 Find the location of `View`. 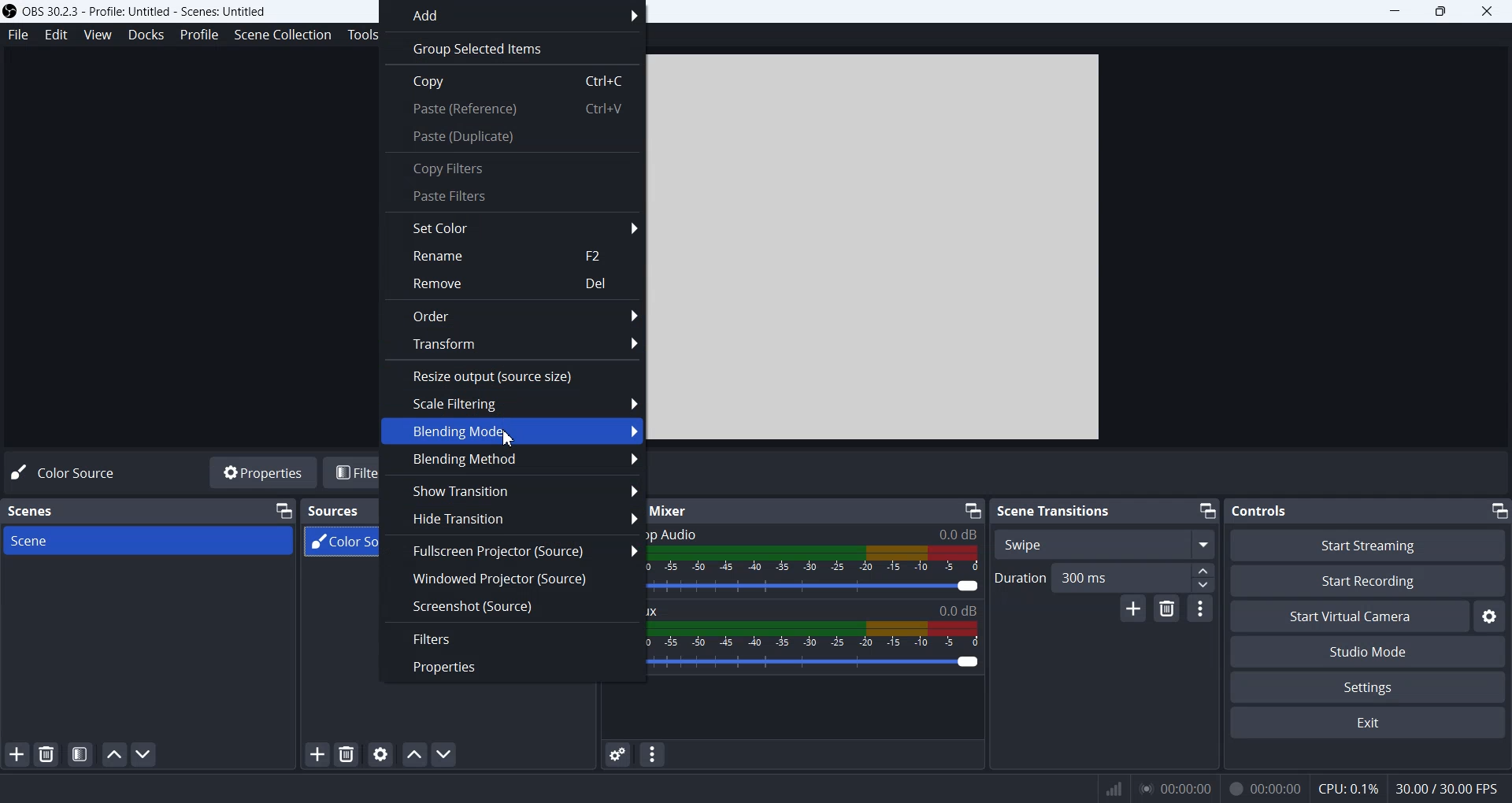

View is located at coordinates (97, 34).